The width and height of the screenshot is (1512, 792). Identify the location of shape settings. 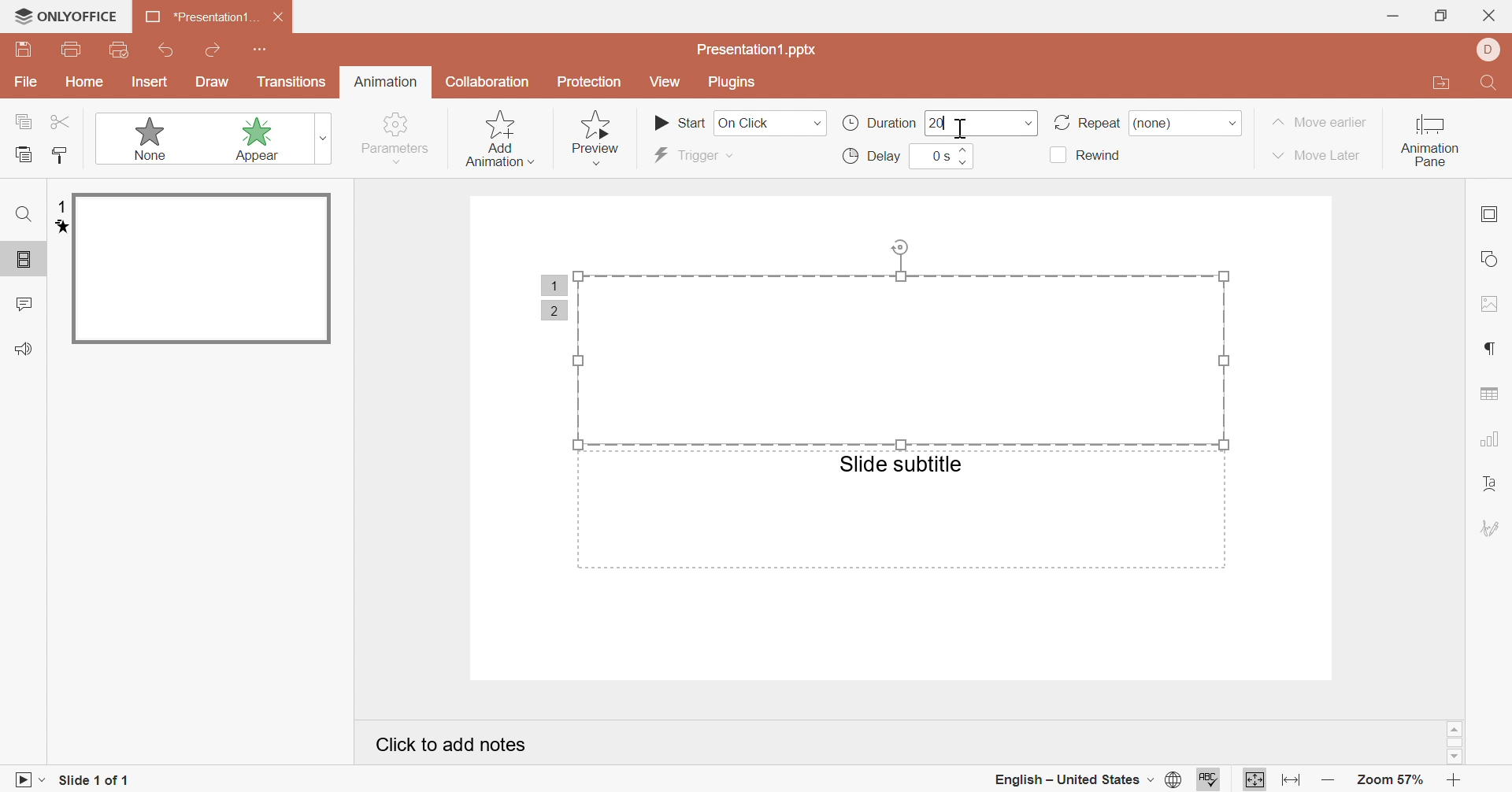
(1488, 257).